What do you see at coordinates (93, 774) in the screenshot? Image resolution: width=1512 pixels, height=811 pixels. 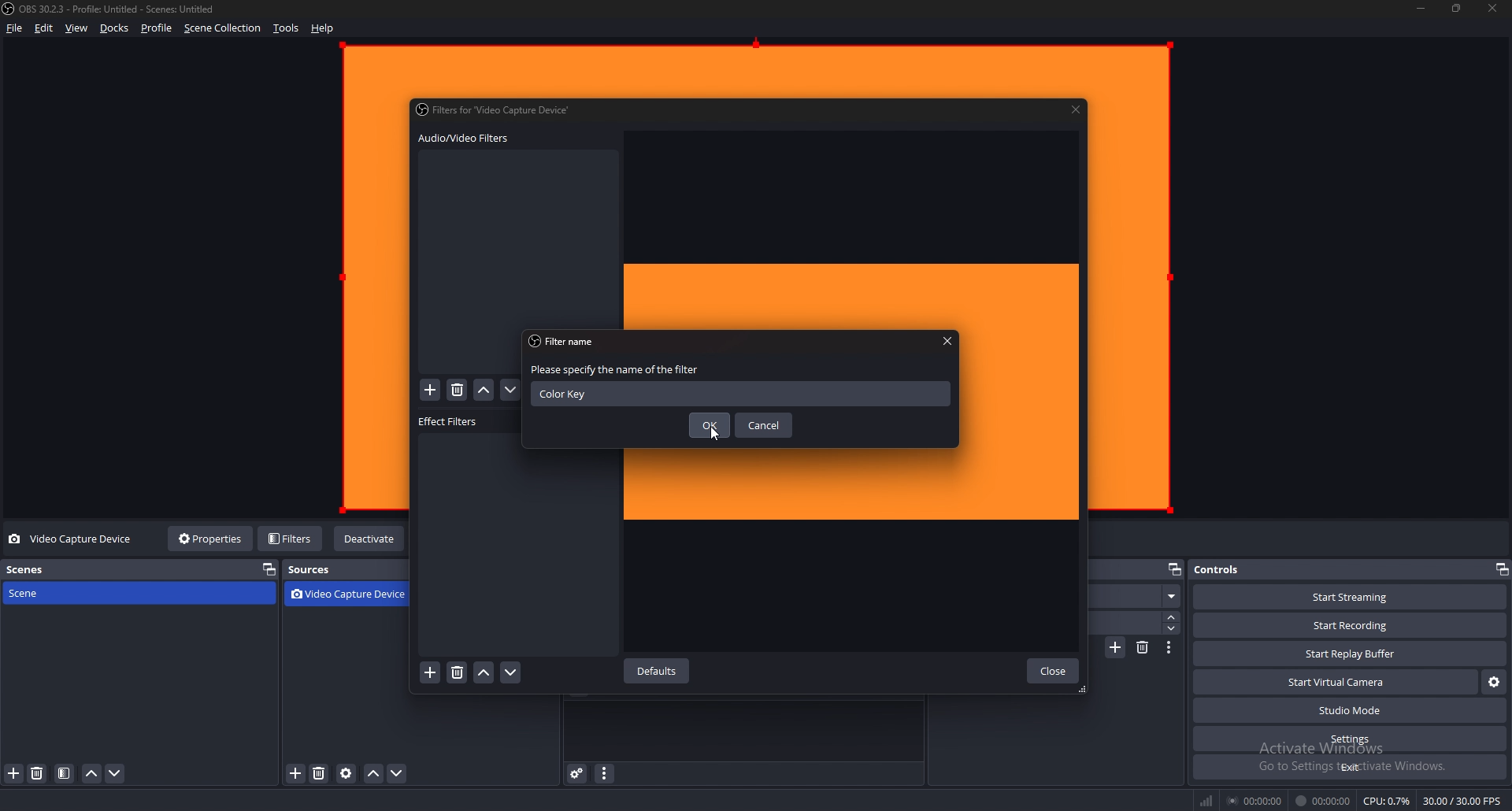 I see `move scene up` at bounding box center [93, 774].